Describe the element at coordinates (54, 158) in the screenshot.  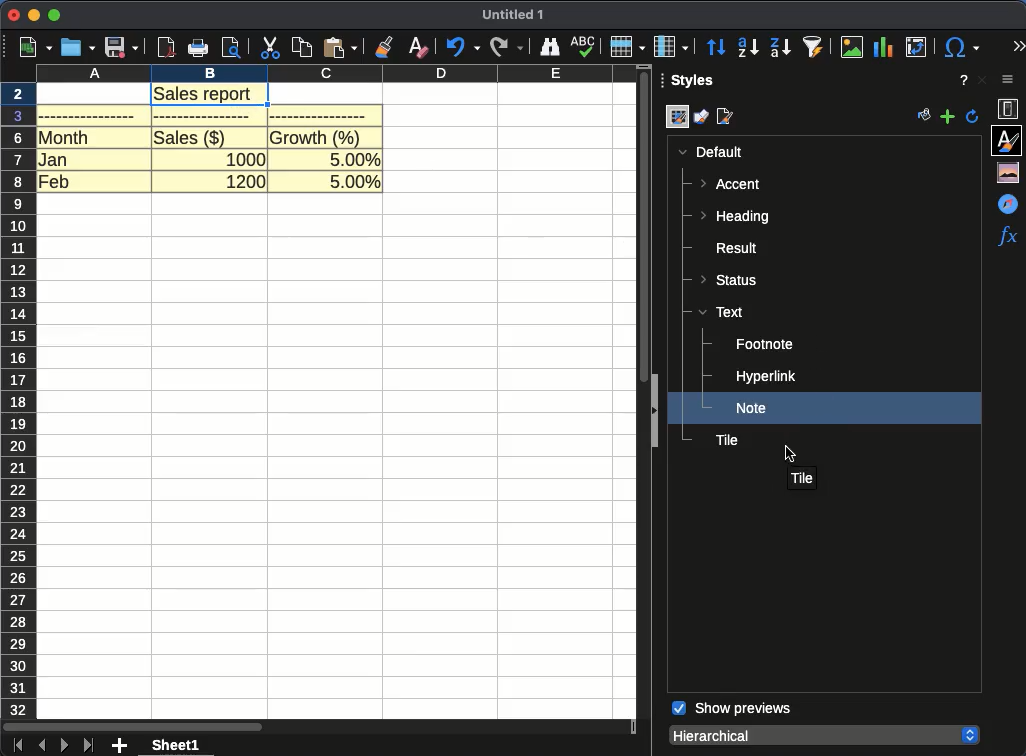
I see `jan` at that location.